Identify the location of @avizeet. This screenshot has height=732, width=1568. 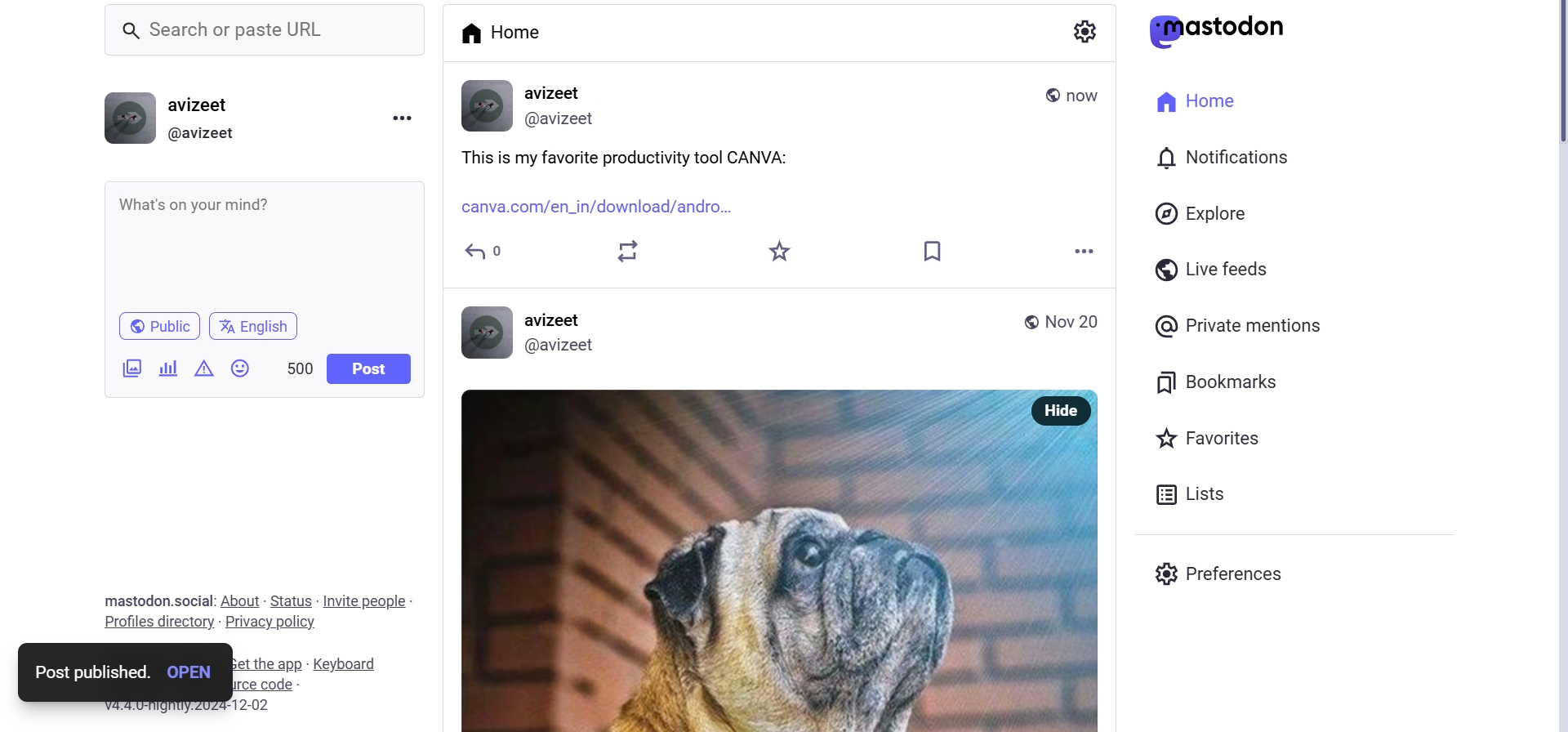
(567, 118).